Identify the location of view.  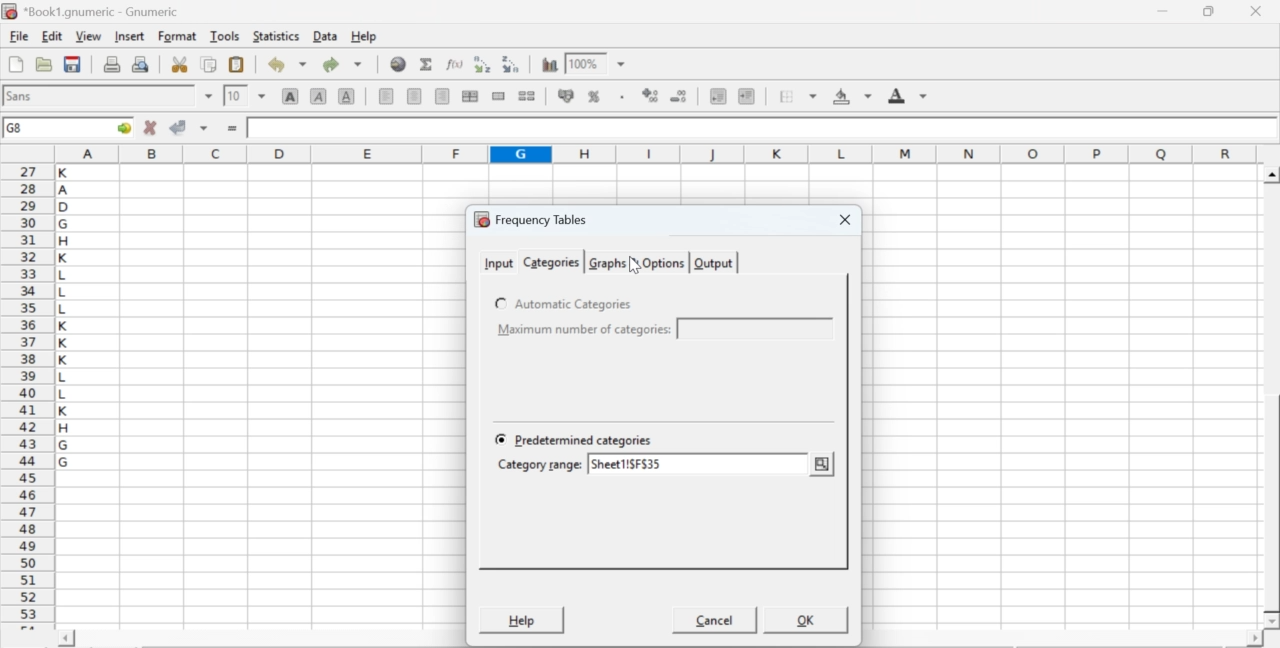
(88, 35).